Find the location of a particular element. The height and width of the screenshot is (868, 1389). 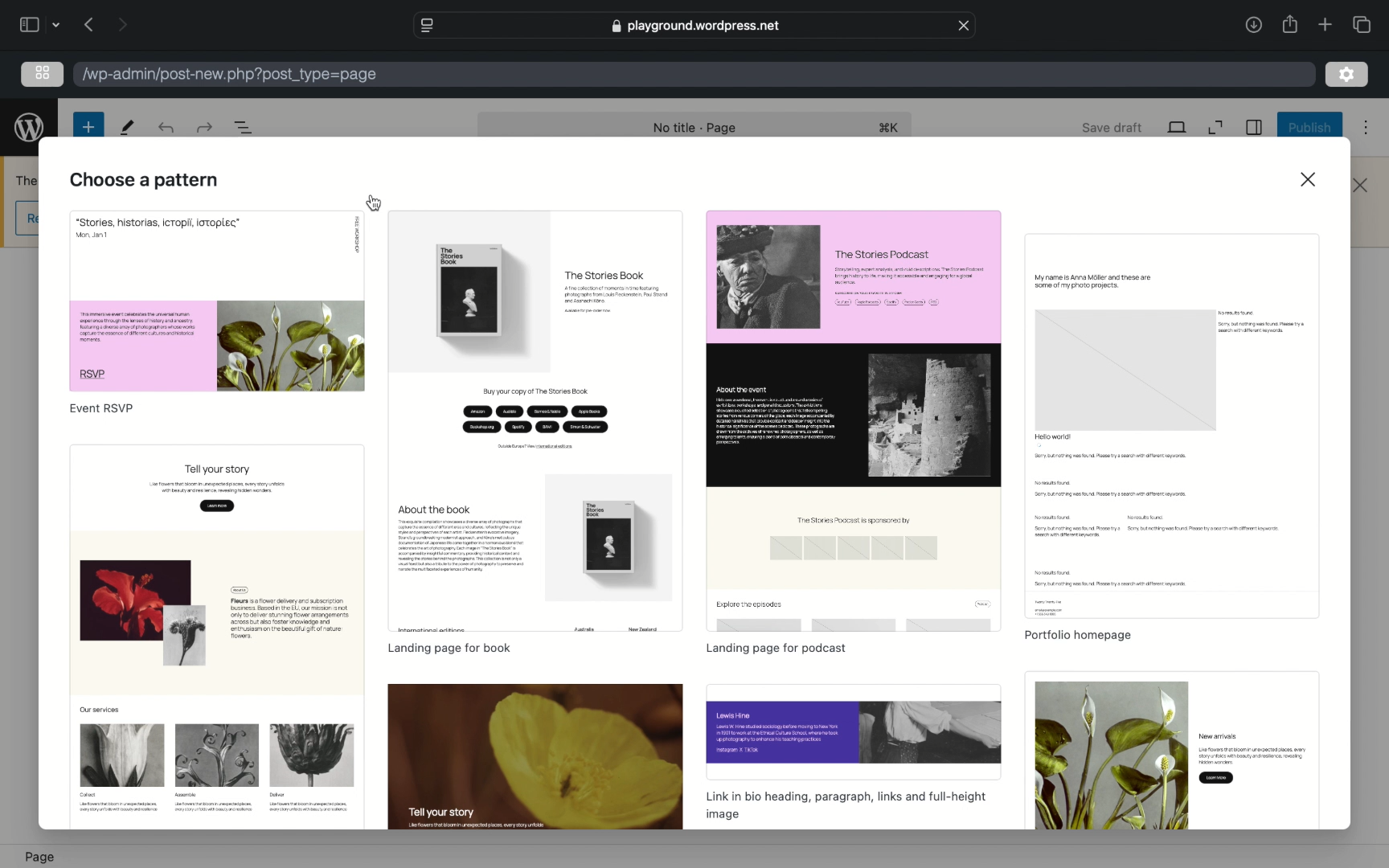

document overview is located at coordinates (244, 128).